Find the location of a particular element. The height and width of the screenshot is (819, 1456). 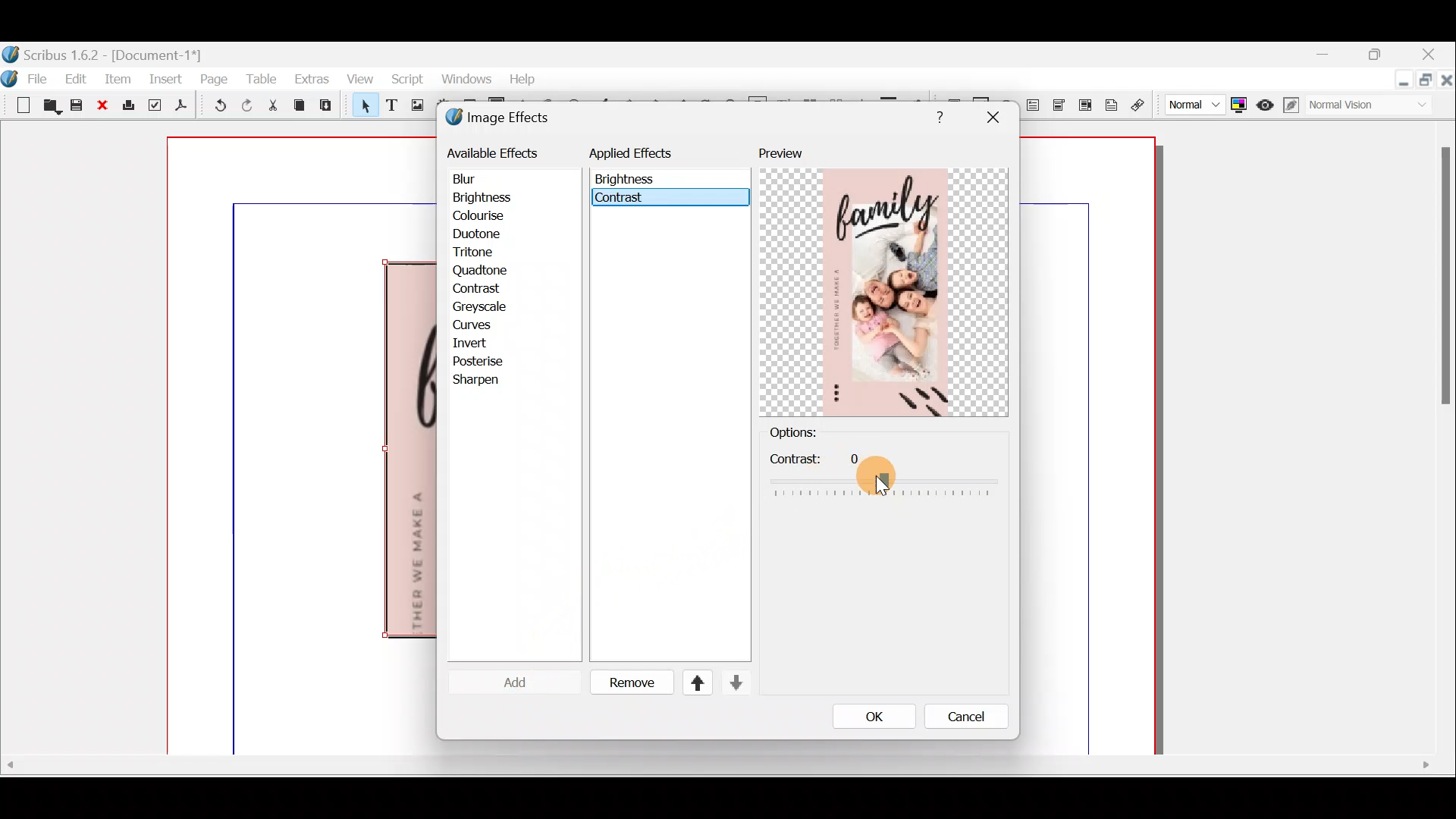

Edit is located at coordinates (78, 78).